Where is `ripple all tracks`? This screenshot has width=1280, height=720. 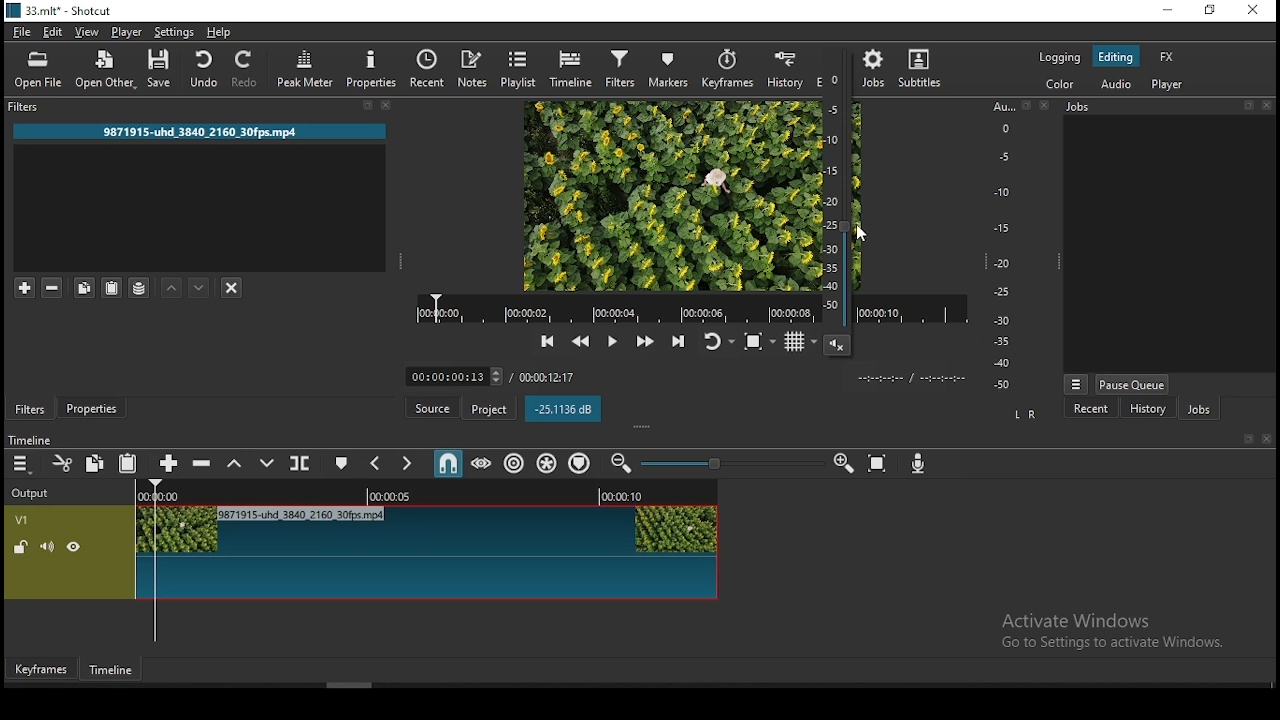
ripple all tracks is located at coordinates (546, 463).